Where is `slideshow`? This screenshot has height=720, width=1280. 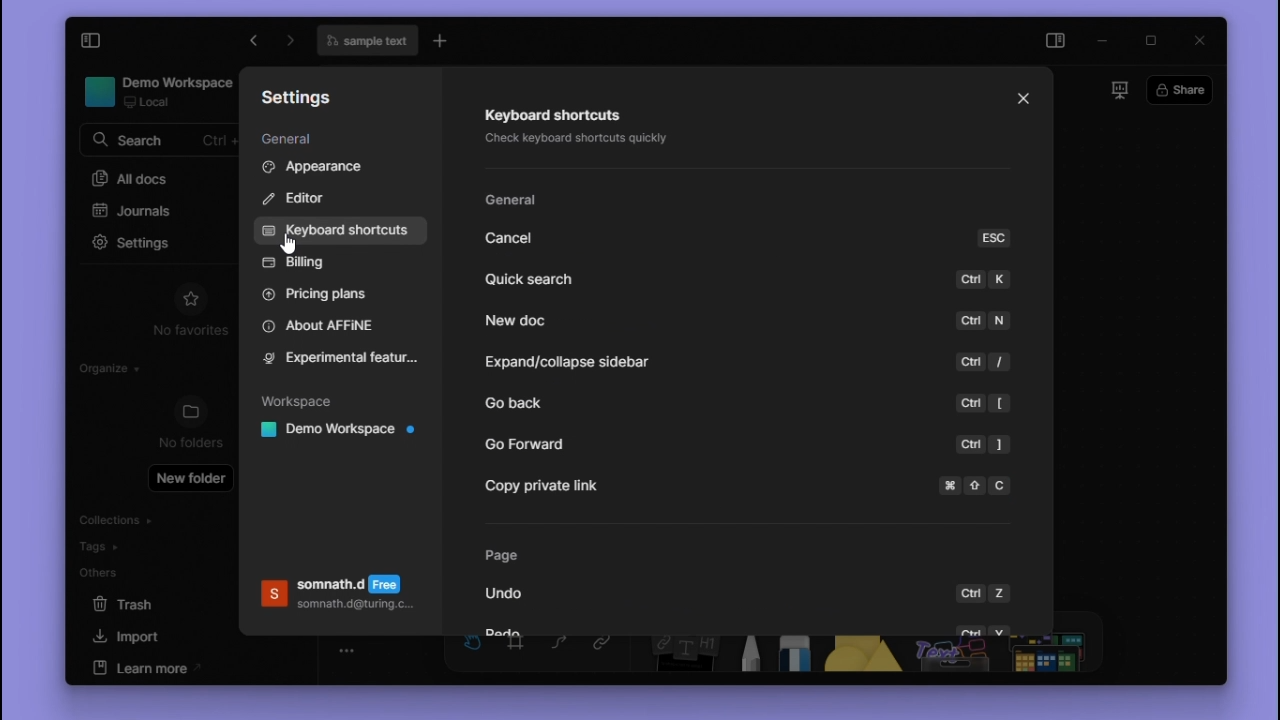
slideshow is located at coordinates (1118, 90).